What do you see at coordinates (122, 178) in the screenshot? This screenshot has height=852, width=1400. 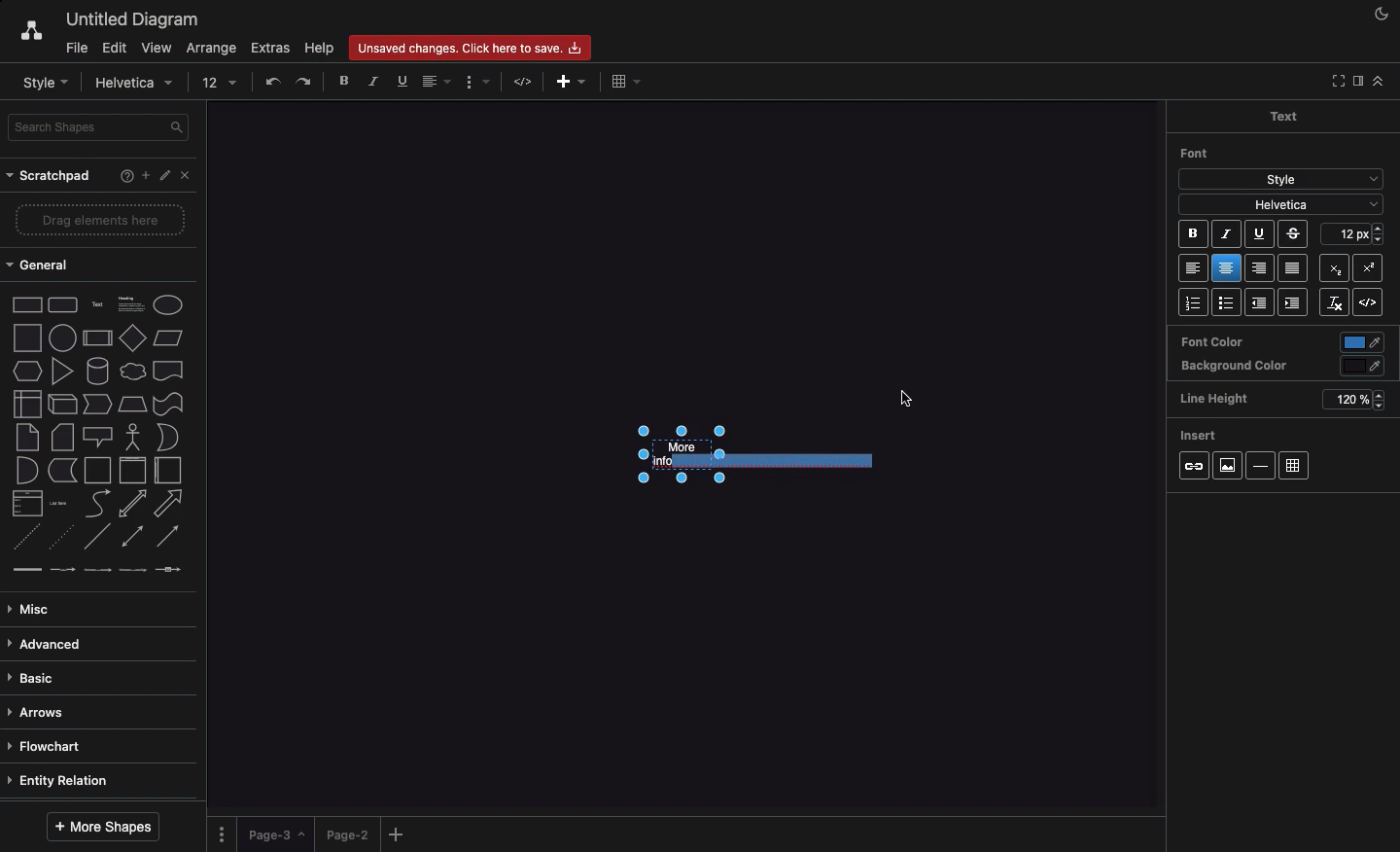 I see `Help` at bounding box center [122, 178].